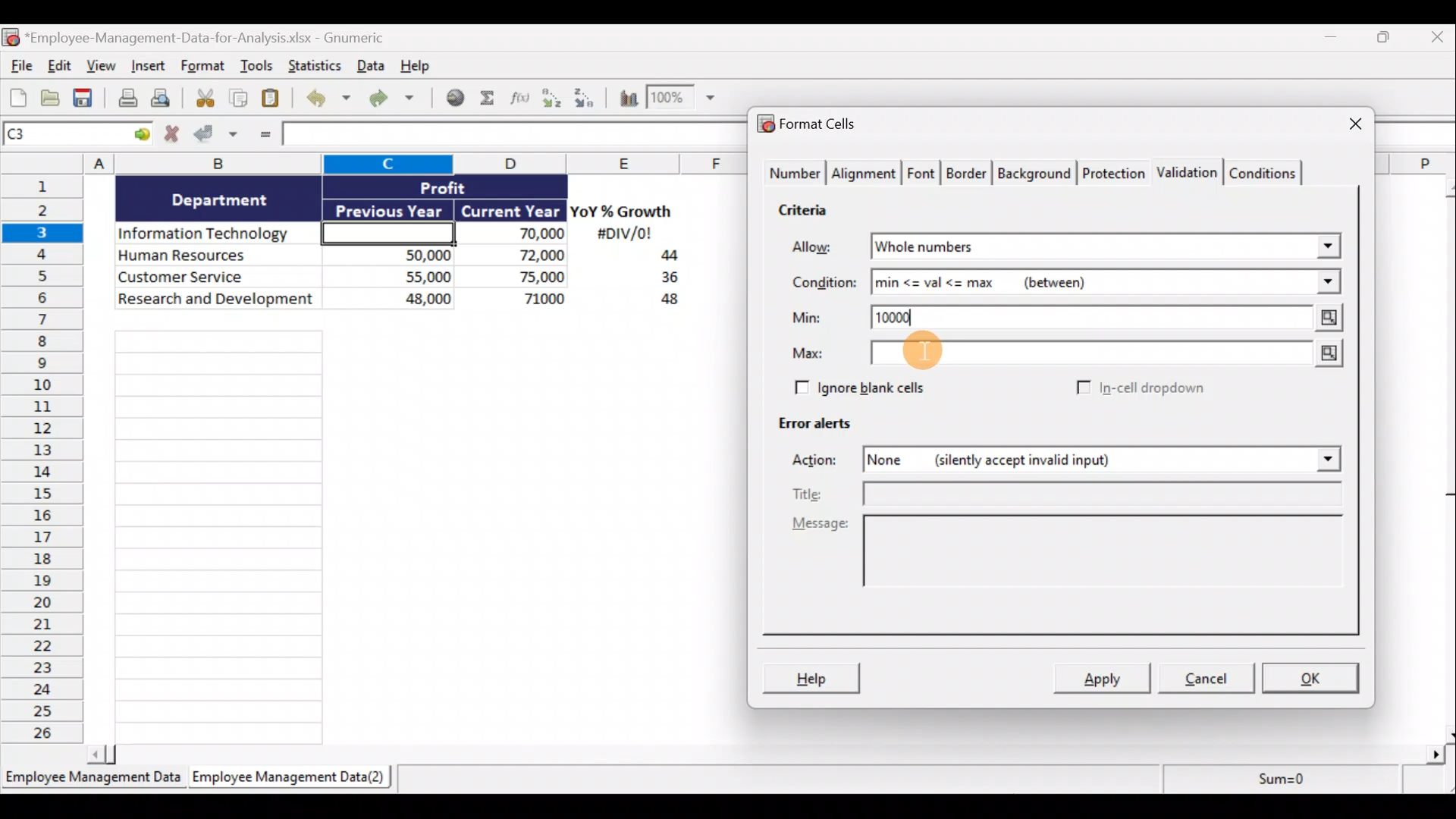 The image size is (1456, 819). I want to click on Validation, so click(1189, 171).